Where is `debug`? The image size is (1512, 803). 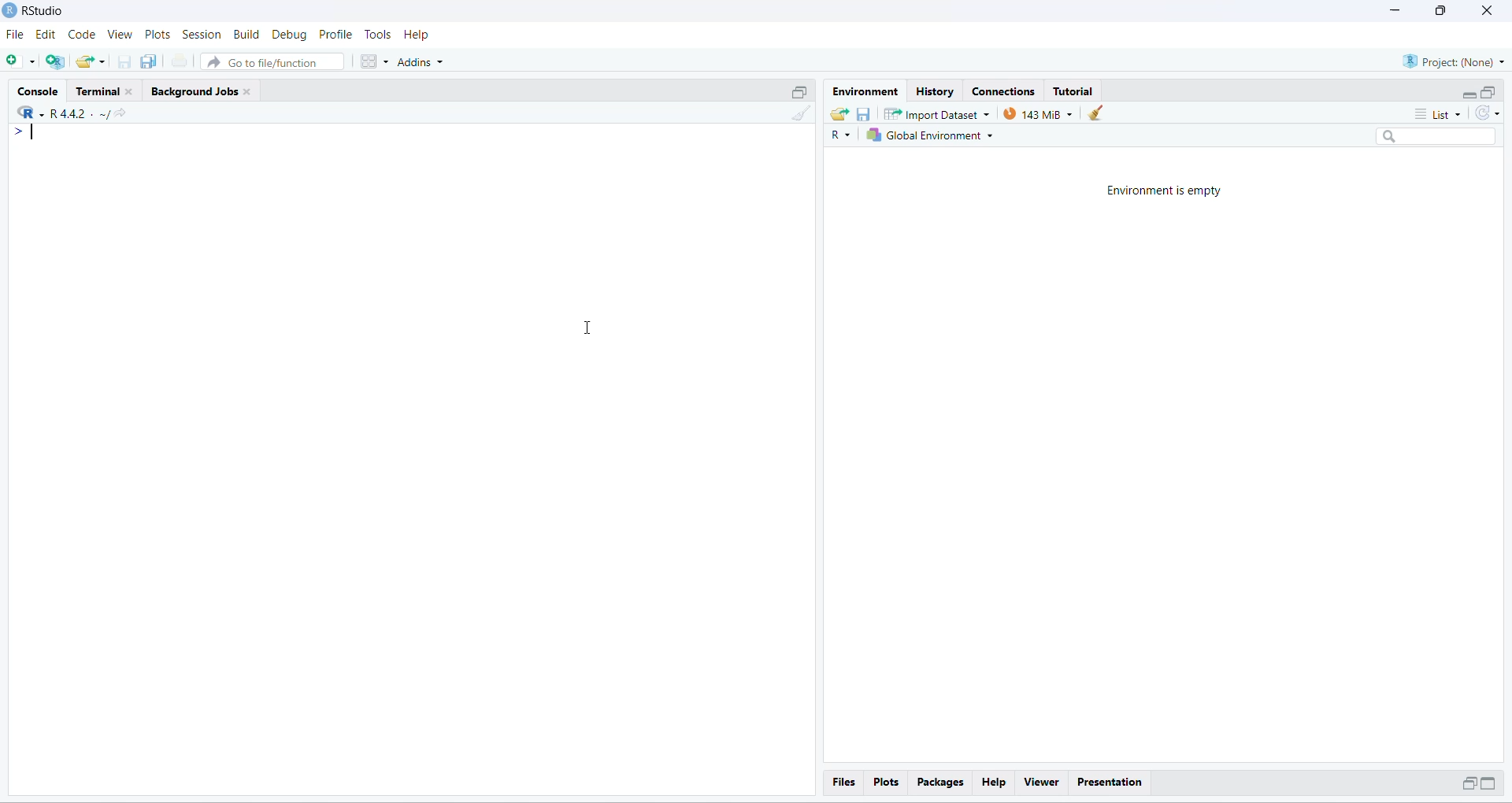 debug is located at coordinates (291, 35).